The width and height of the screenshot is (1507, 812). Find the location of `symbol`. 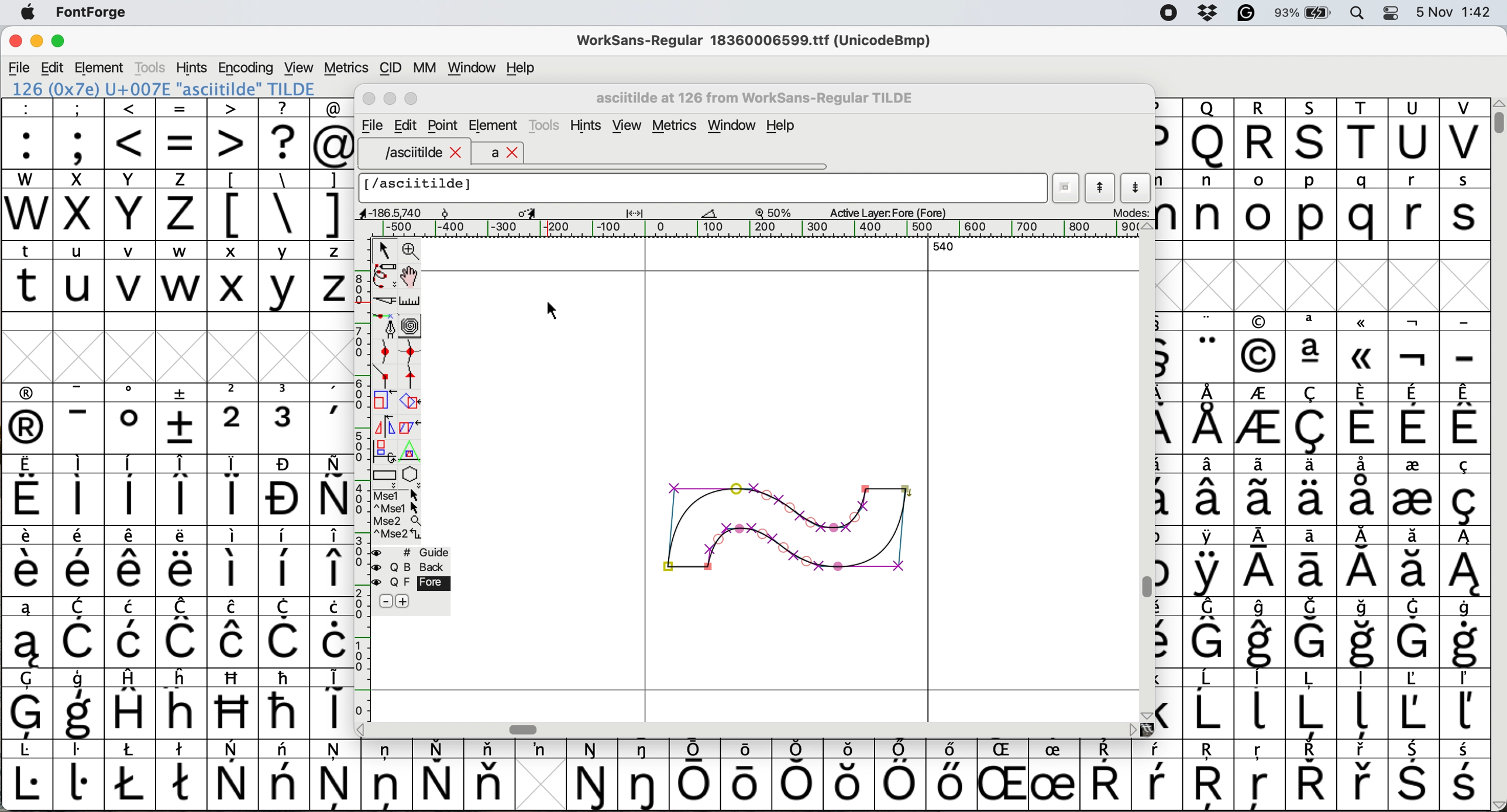

symbol is located at coordinates (1364, 488).